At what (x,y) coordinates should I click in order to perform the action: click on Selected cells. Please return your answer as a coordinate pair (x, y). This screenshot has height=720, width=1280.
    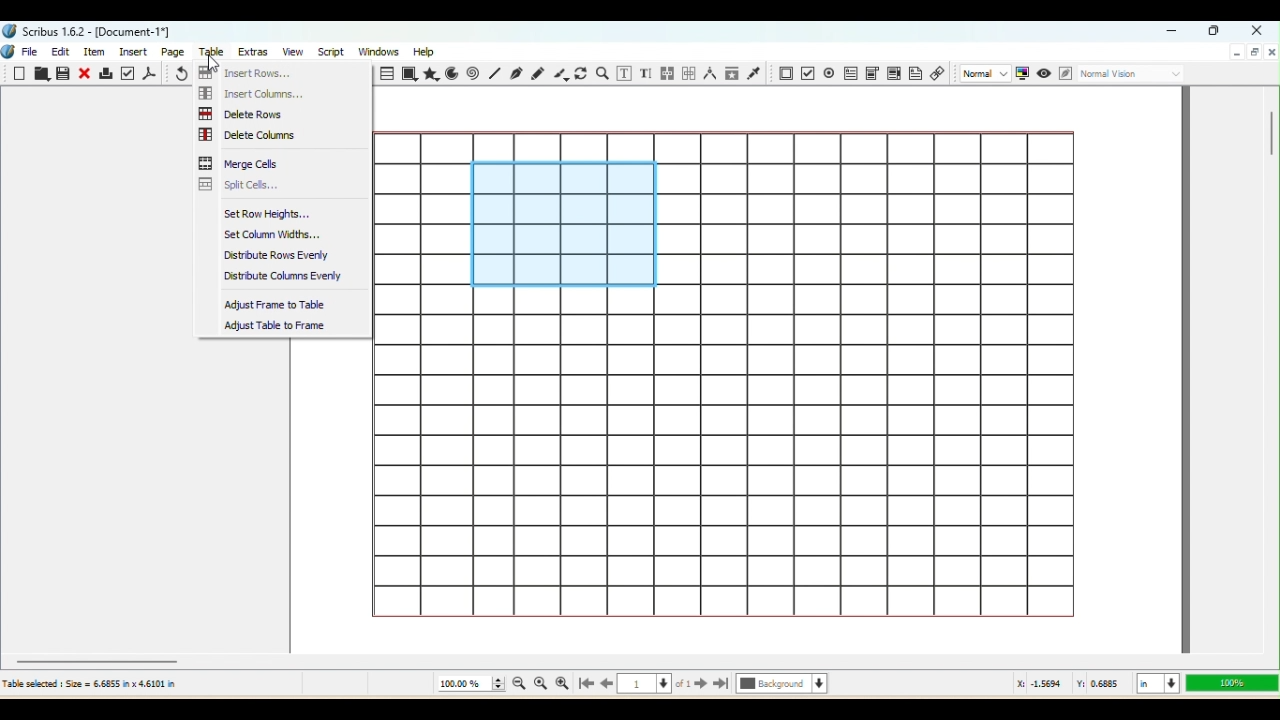
    Looking at the image, I should click on (563, 224).